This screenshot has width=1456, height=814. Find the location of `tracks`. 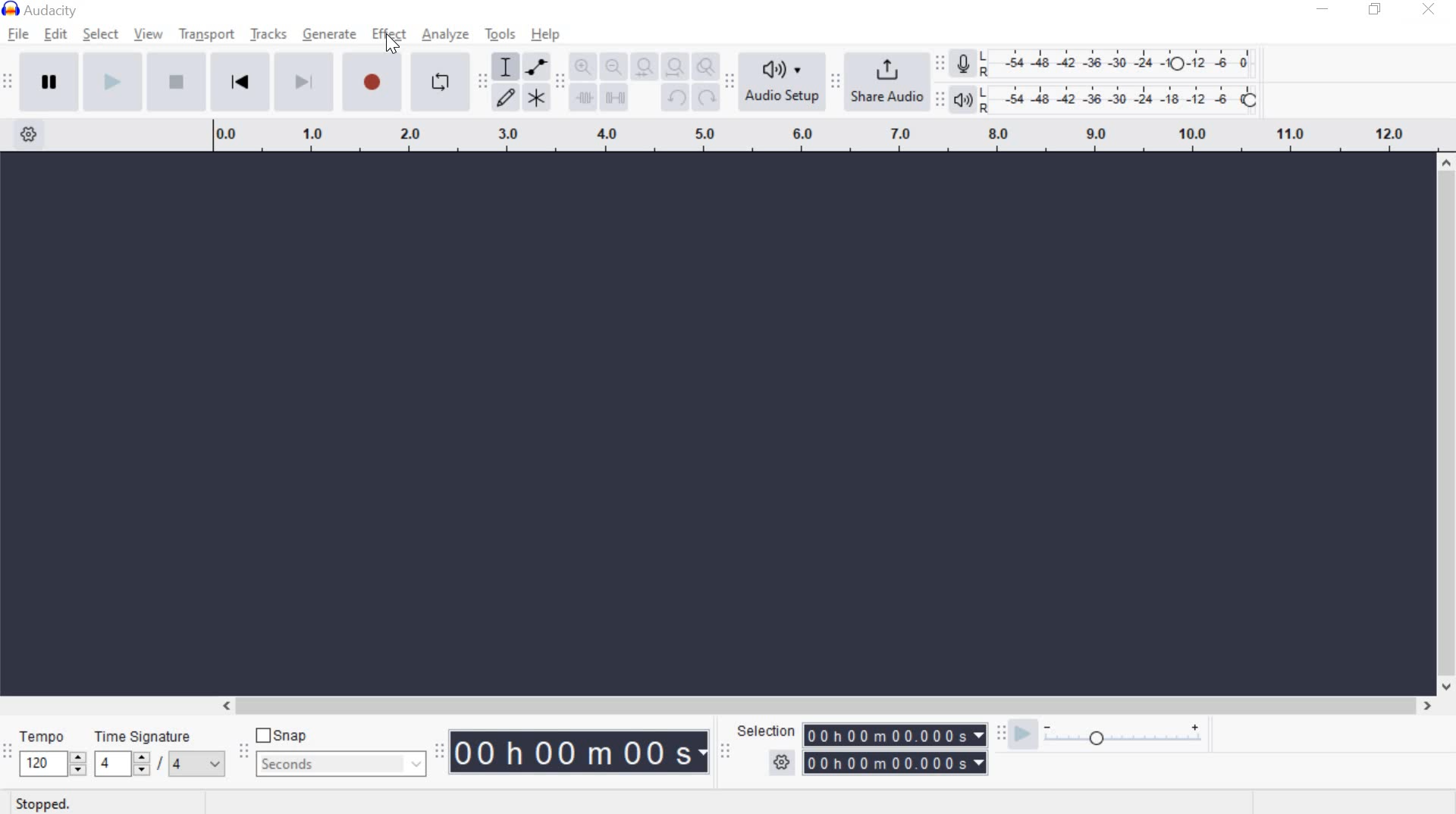

tracks is located at coordinates (265, 36).